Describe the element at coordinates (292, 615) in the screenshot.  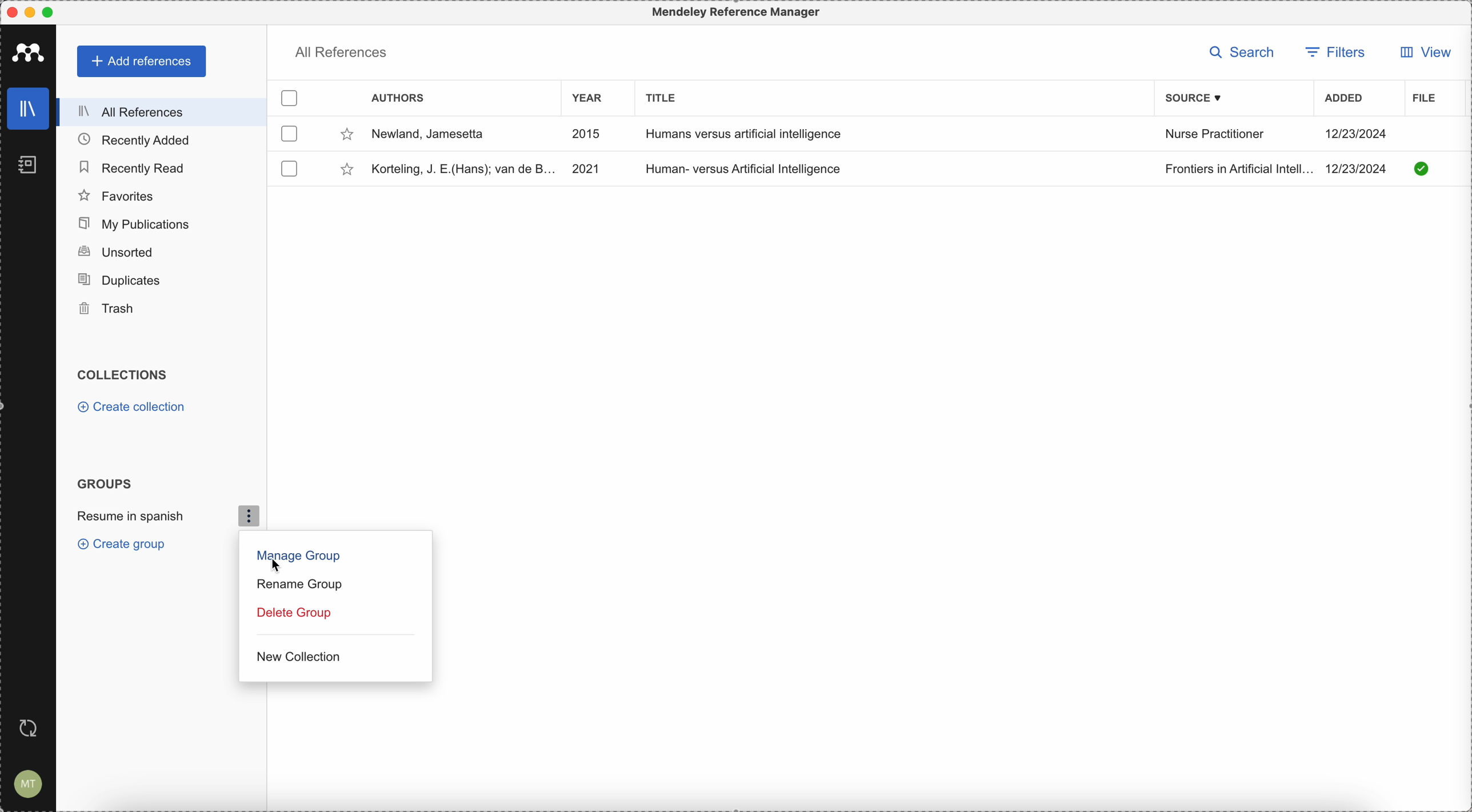
I see `delete group` at that location.